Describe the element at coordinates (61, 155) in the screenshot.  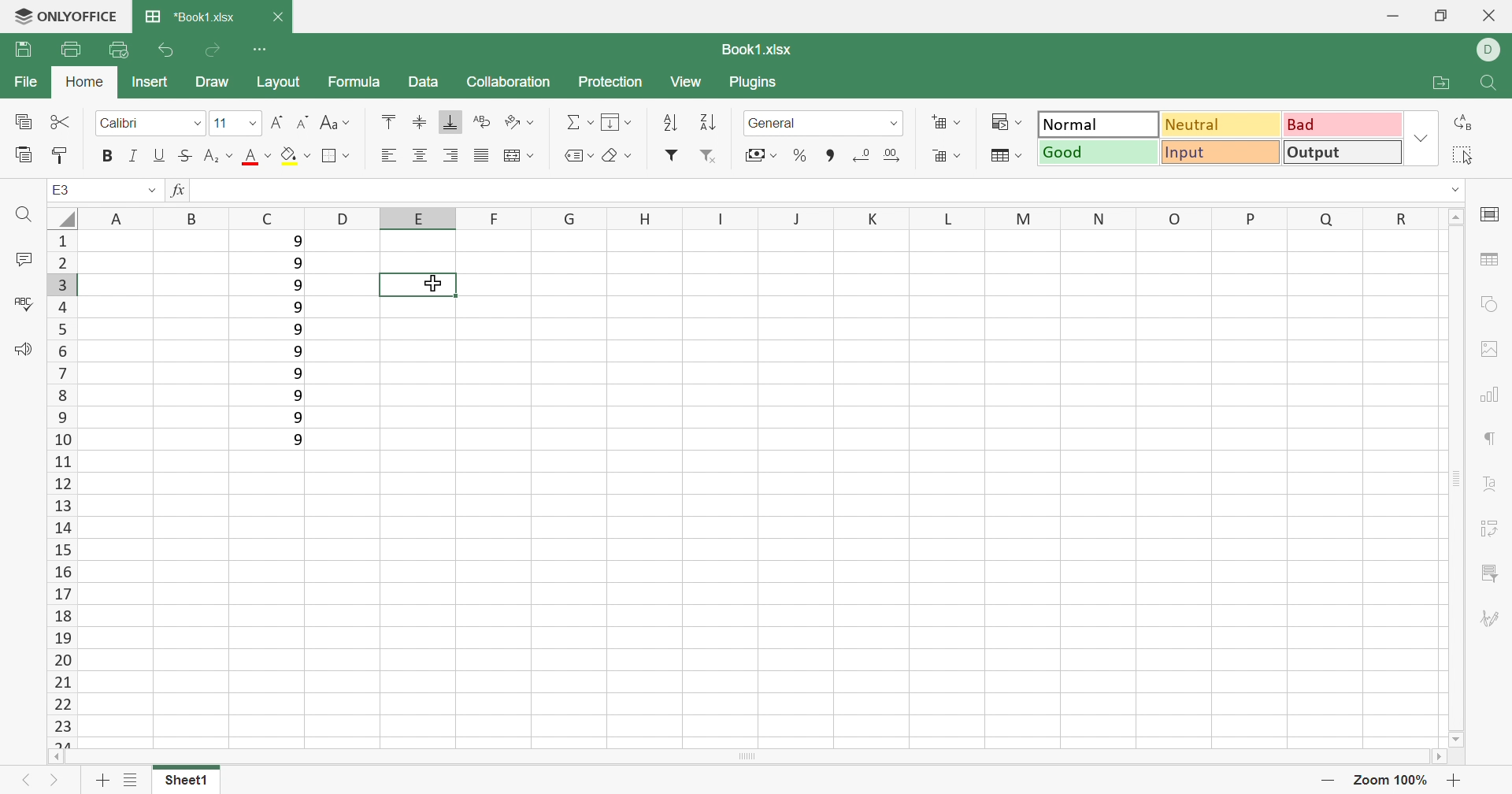
I see `Copy Style` at that location.